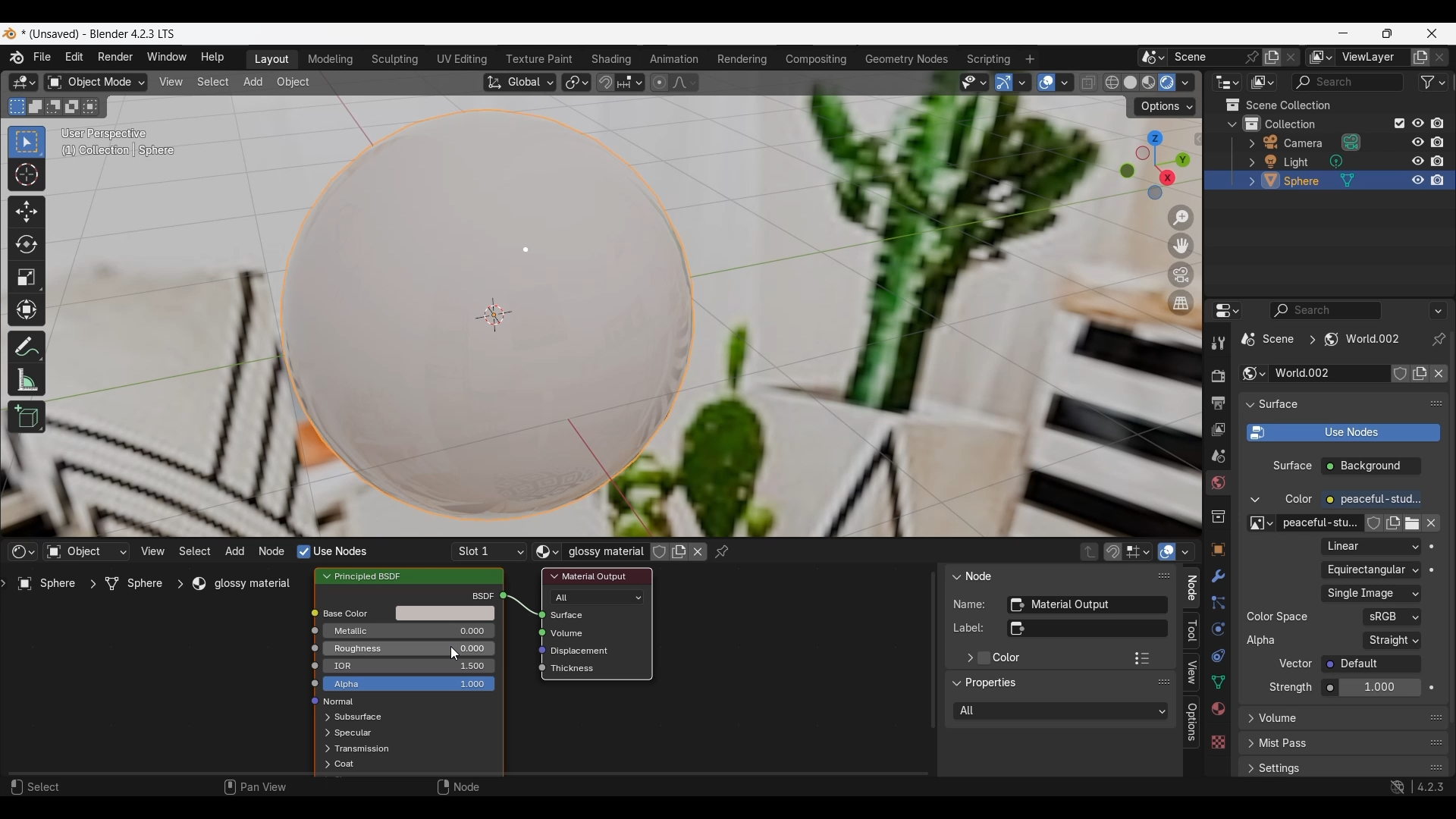 This screenshot has width=1456, height=819. What do you see at coordinates (1335, 161) in the screenshot?
I see `Browse light data` at bounding box center [1335, 161].